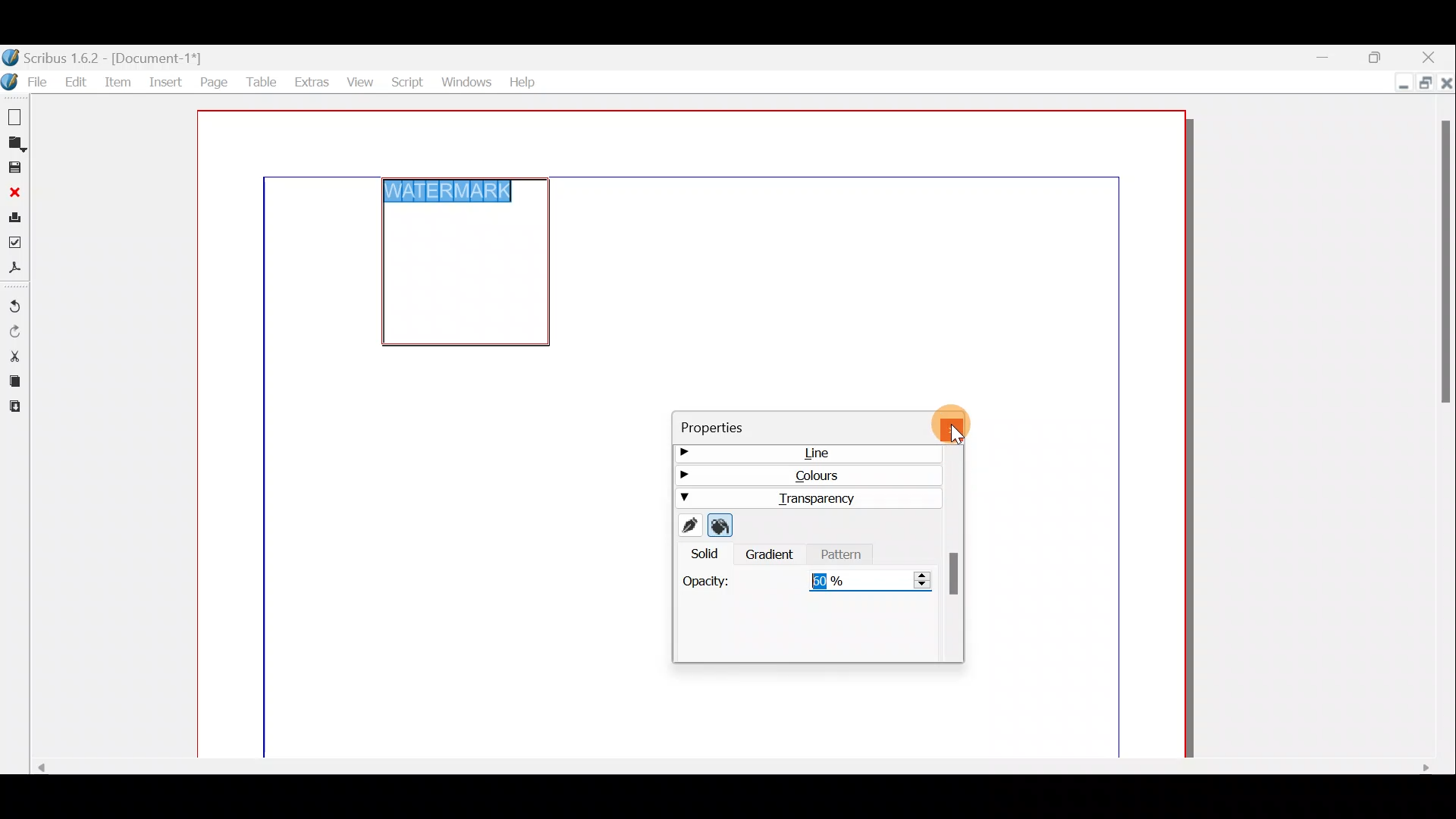 This screenshot has height=819, width=1456. Describe the element at coordinates (14, 356) in the screenshot. I see `Cut` at that location.